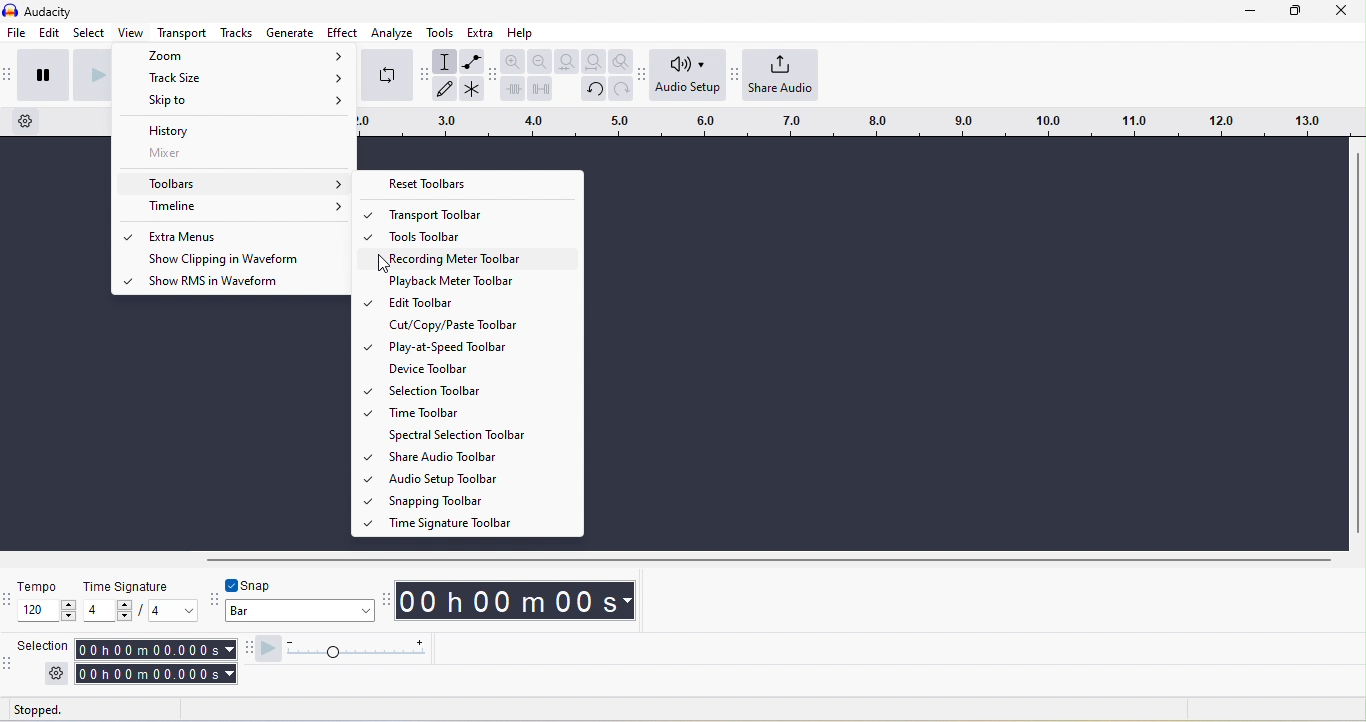 This screenshot has height=722, width=1366. I want to click on pause, so click(44, 76).